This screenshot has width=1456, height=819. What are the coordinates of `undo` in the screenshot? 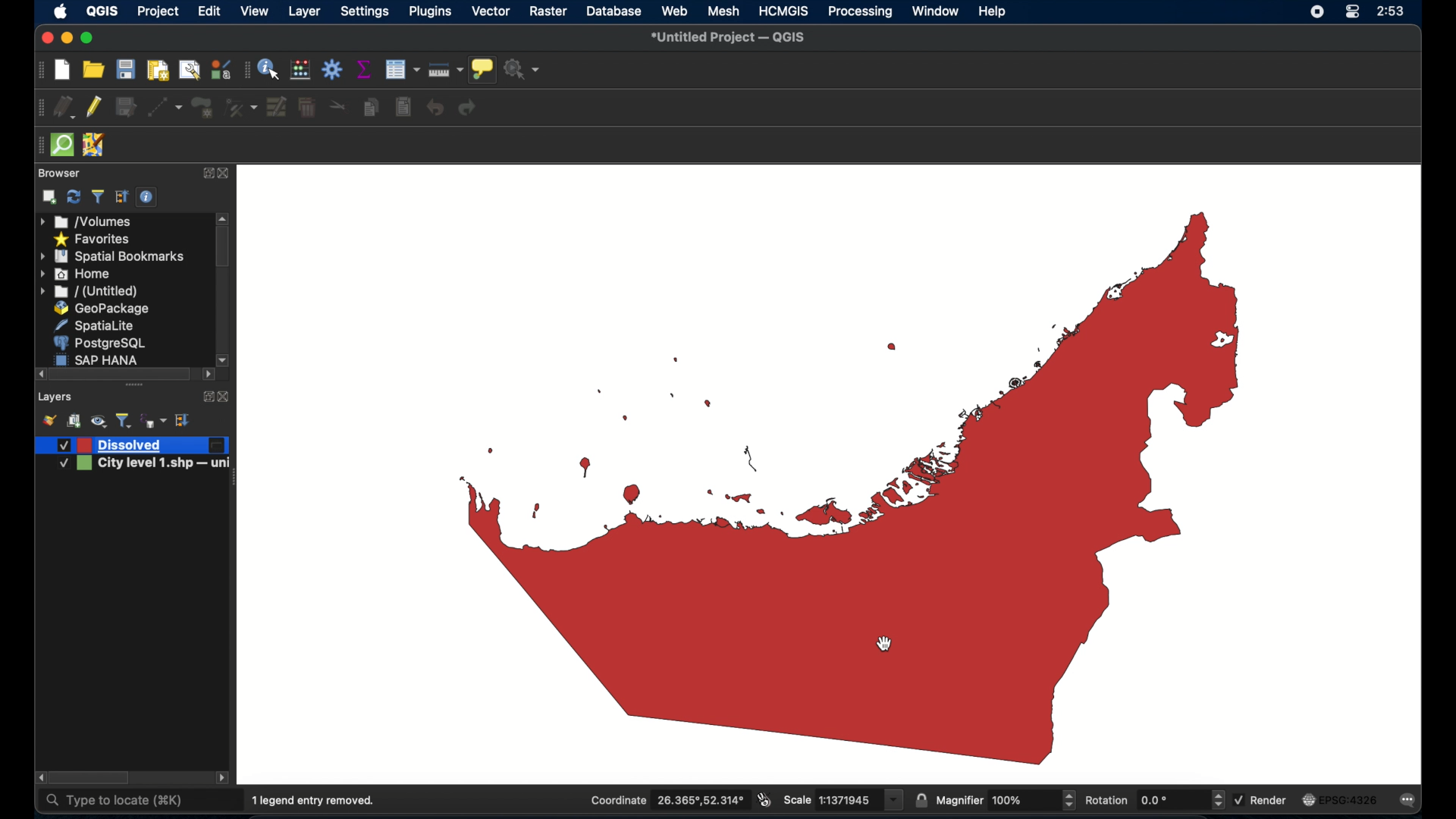 It's located at (435, 108).